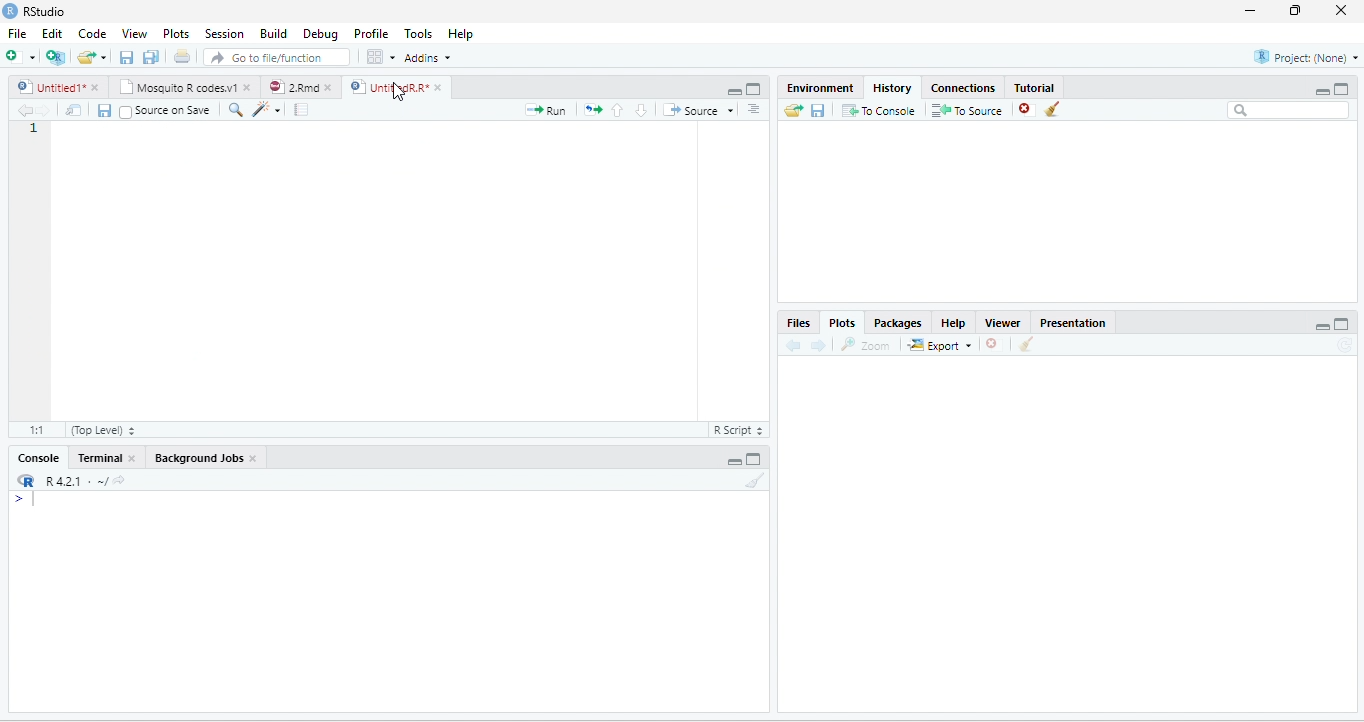  I want to click on Line number, so click(34, 129).